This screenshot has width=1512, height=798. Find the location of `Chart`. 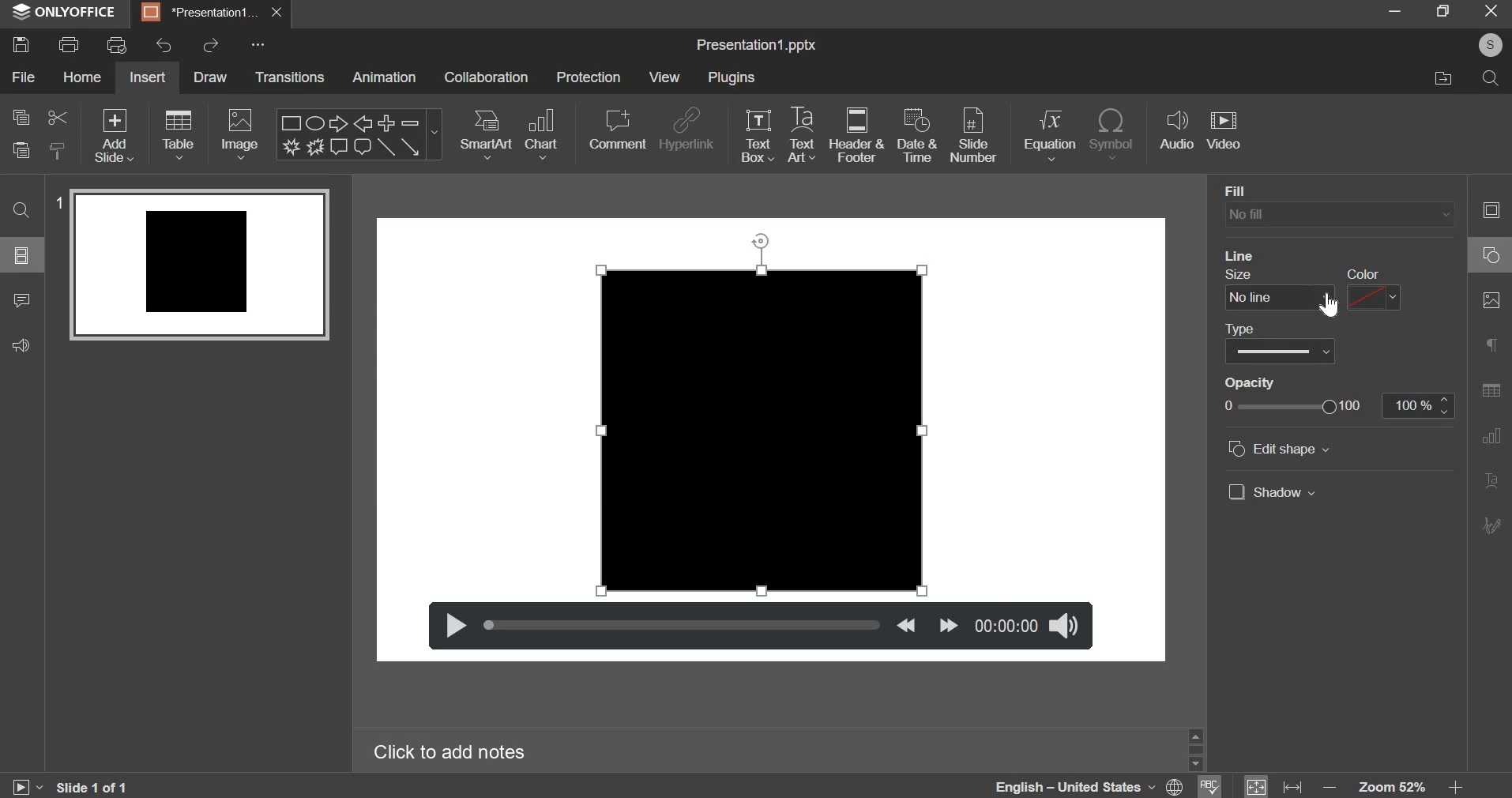

Chart is located at coordinates (1491, 438).